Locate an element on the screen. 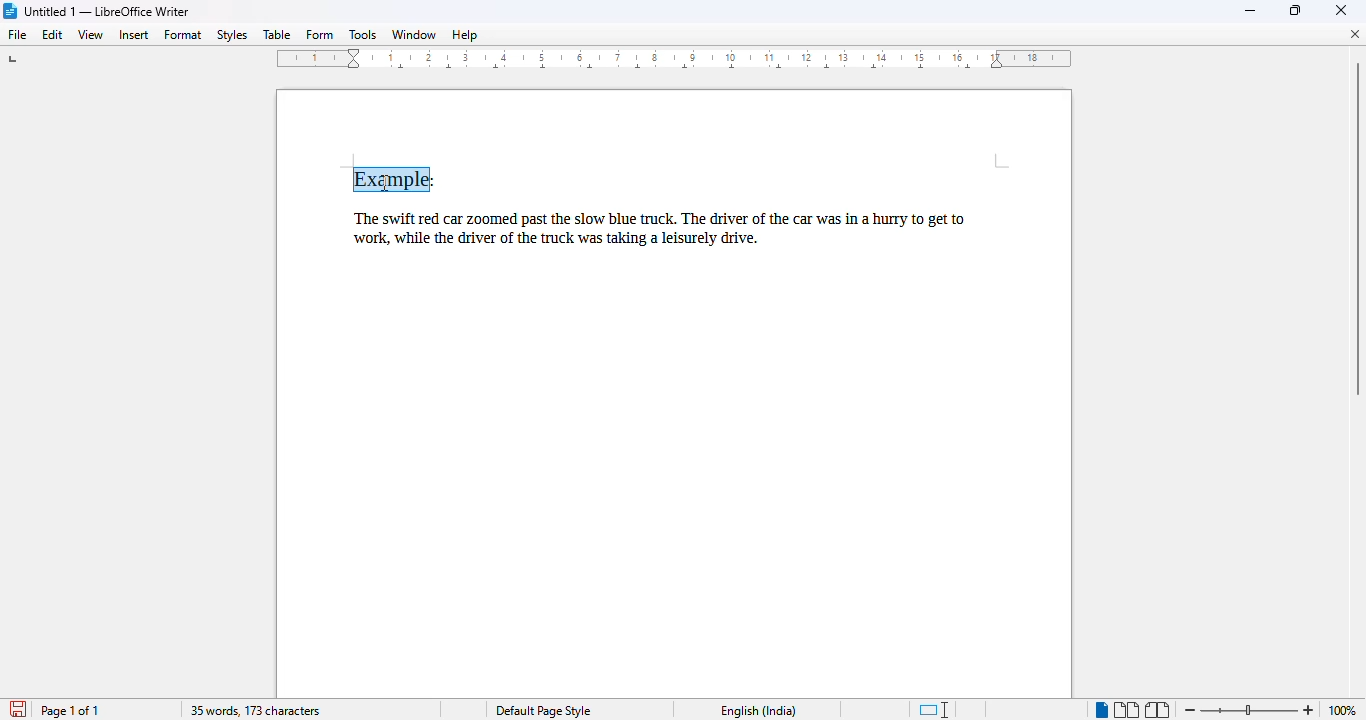  close document is located at coordinates (1356, 34).